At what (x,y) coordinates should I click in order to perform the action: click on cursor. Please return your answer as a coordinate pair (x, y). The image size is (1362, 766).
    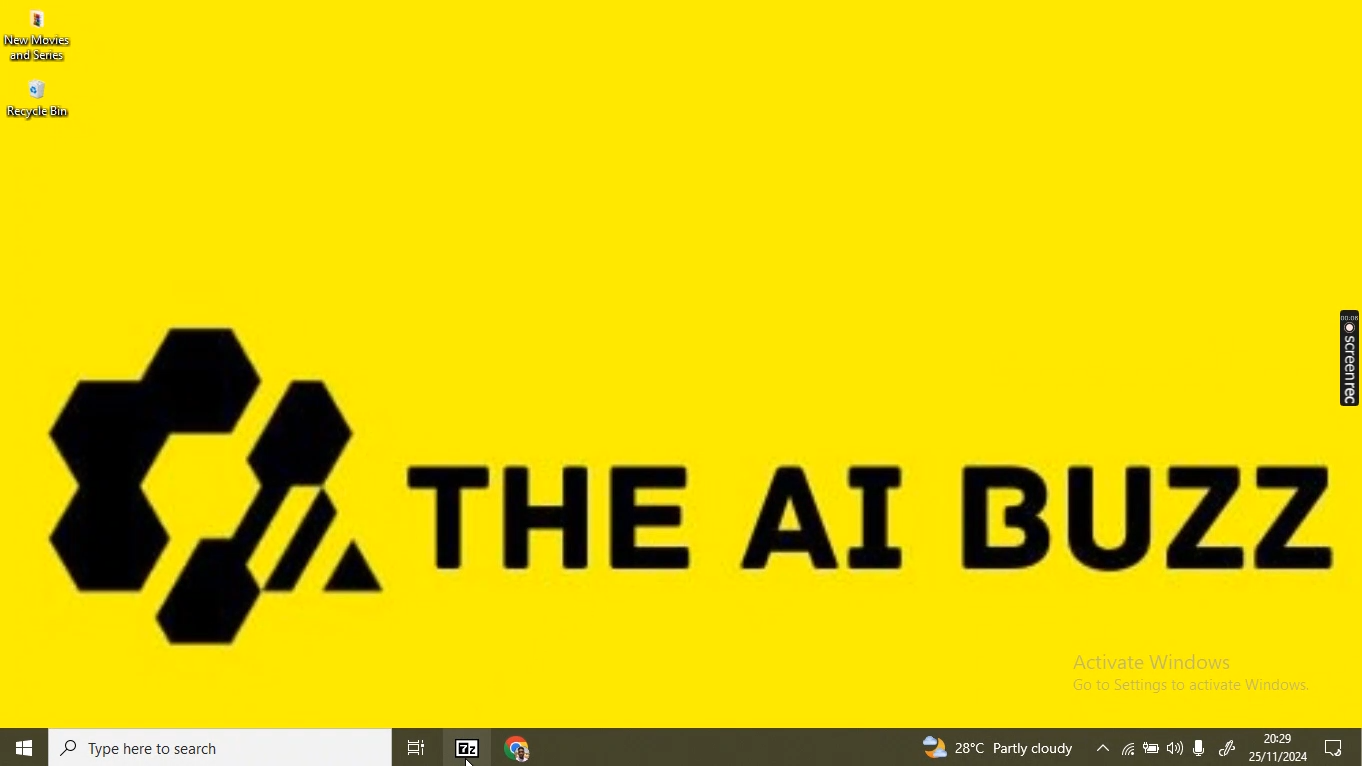
    Looking at the image, I should click on (471, 757).